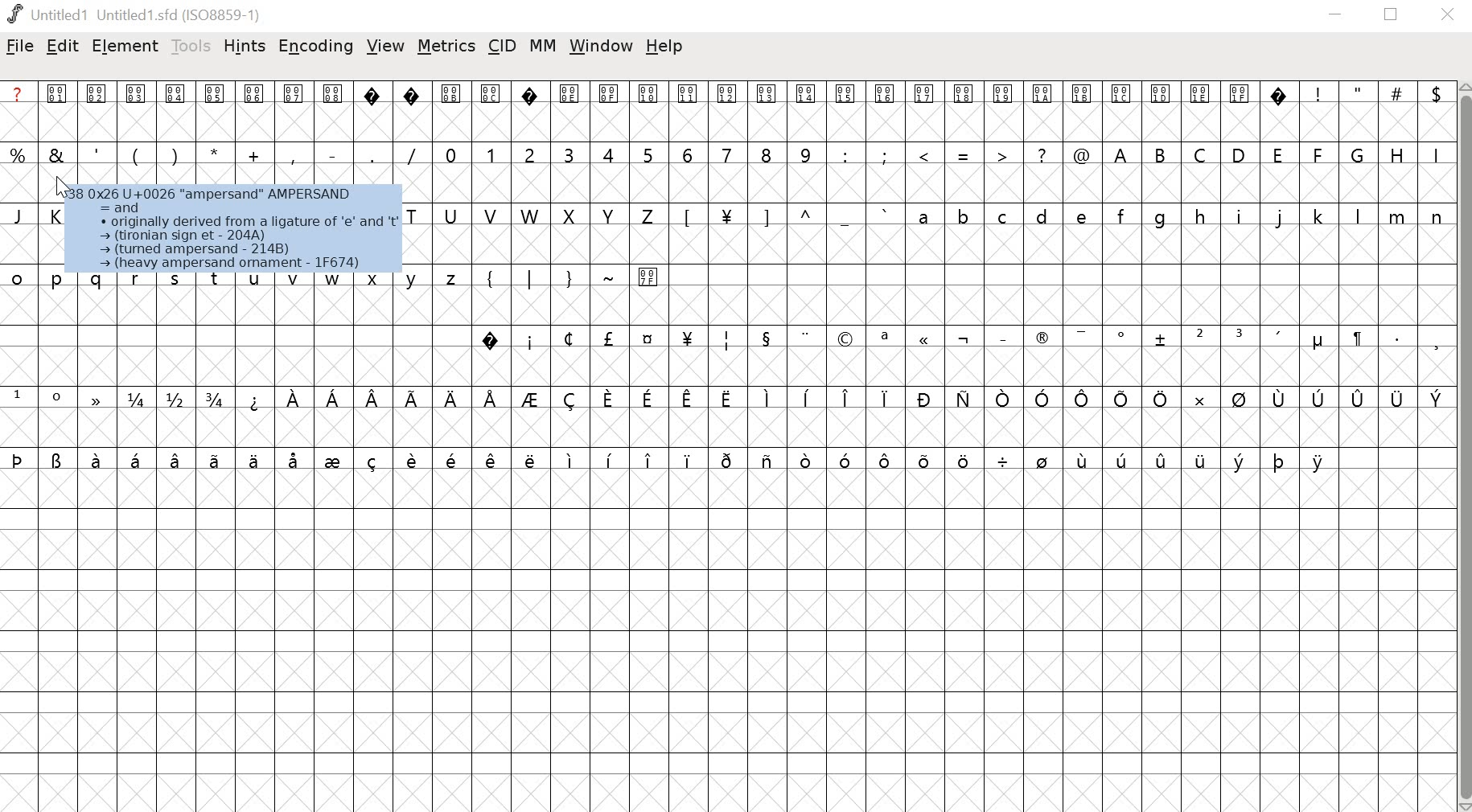 Image resolution: width=1472 pixels, height=812 pixels. Describe the element at coordinates (19, 112) in the screenshot. I see `a` at that location.